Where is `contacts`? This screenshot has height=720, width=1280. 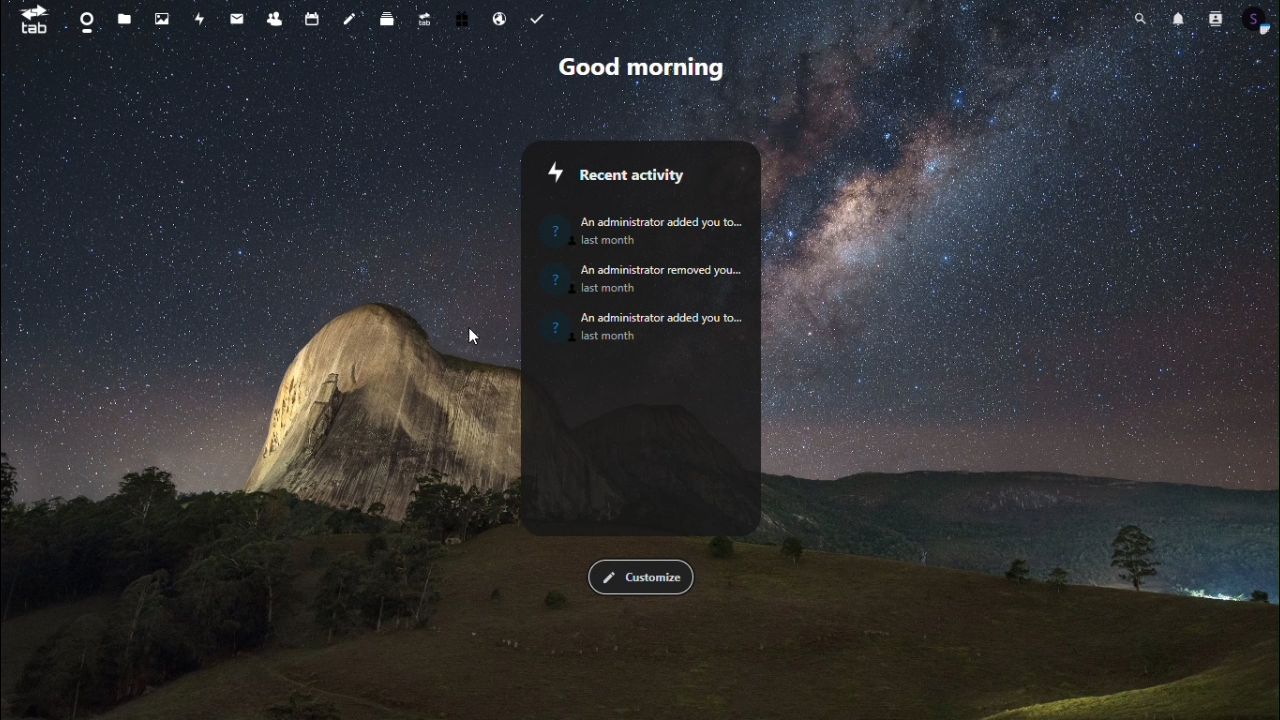 contacts is located at coordinates (1216, 23).